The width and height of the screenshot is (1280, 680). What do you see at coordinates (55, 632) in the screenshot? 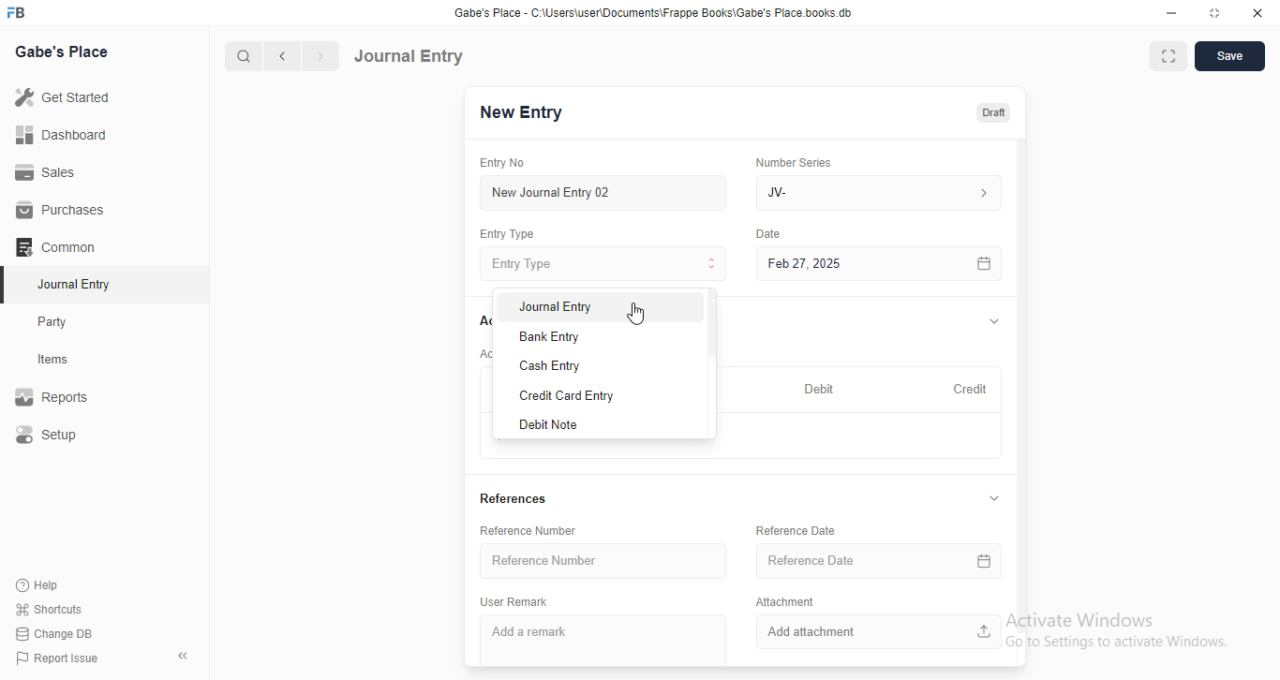
I see `| Change DB` at bounding box center [55, 632].